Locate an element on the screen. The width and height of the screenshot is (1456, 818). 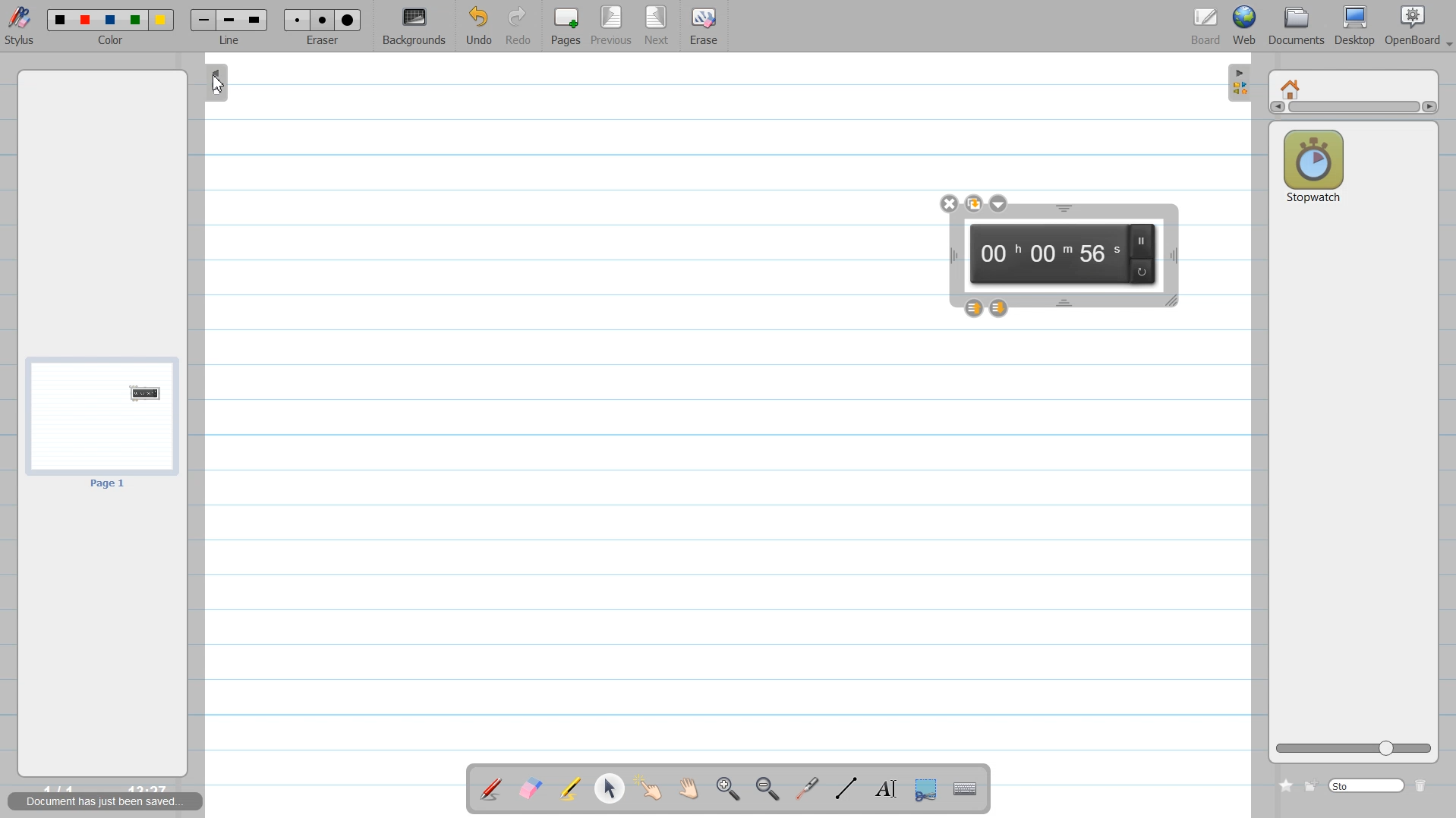
Time width adjustment window is located at coordinates (1173, 256).